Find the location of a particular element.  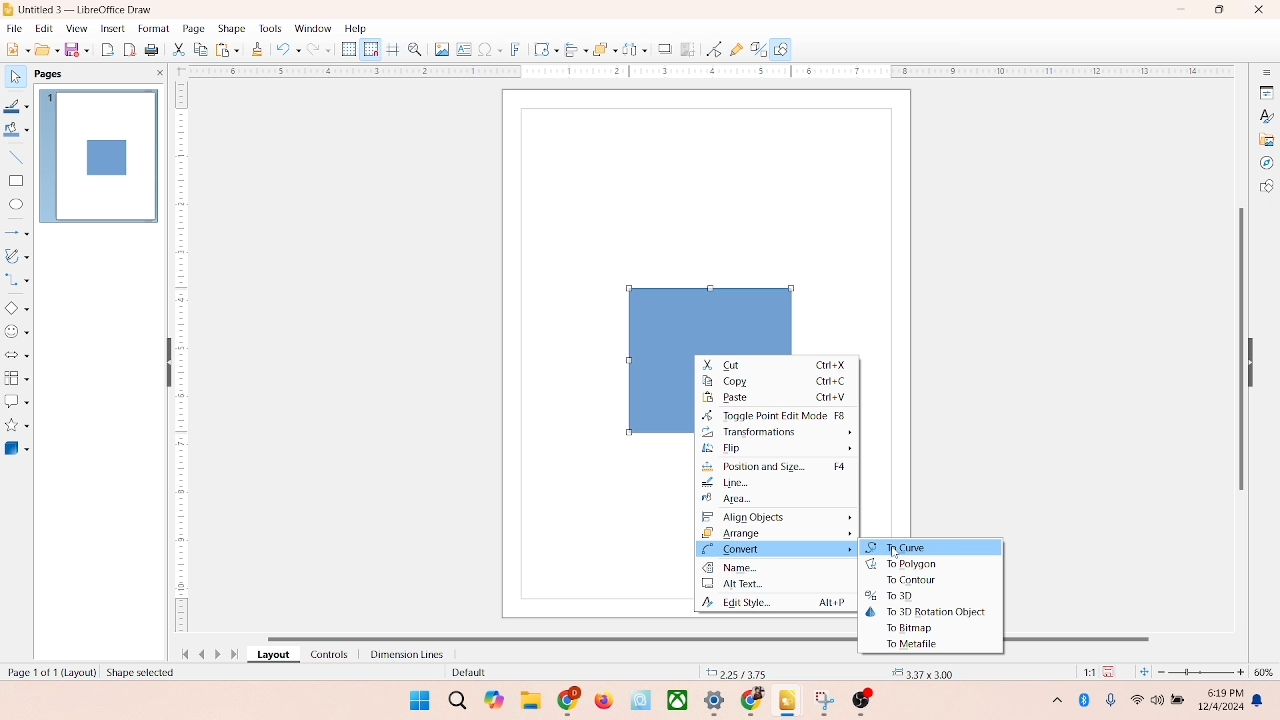

copy is located at coordinates (200, 51).